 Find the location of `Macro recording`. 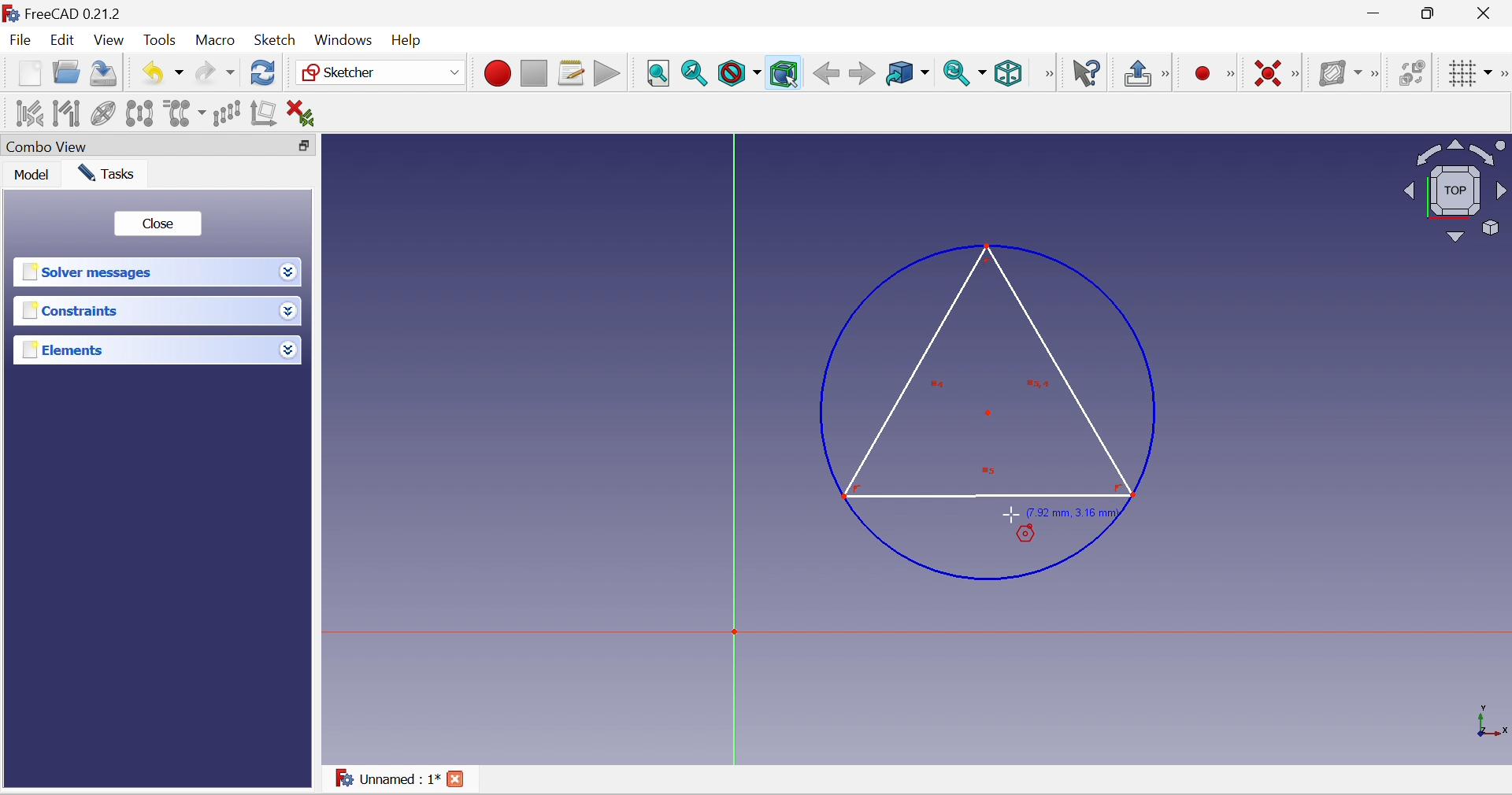

Macro recording is located at coordinates (496, 72).